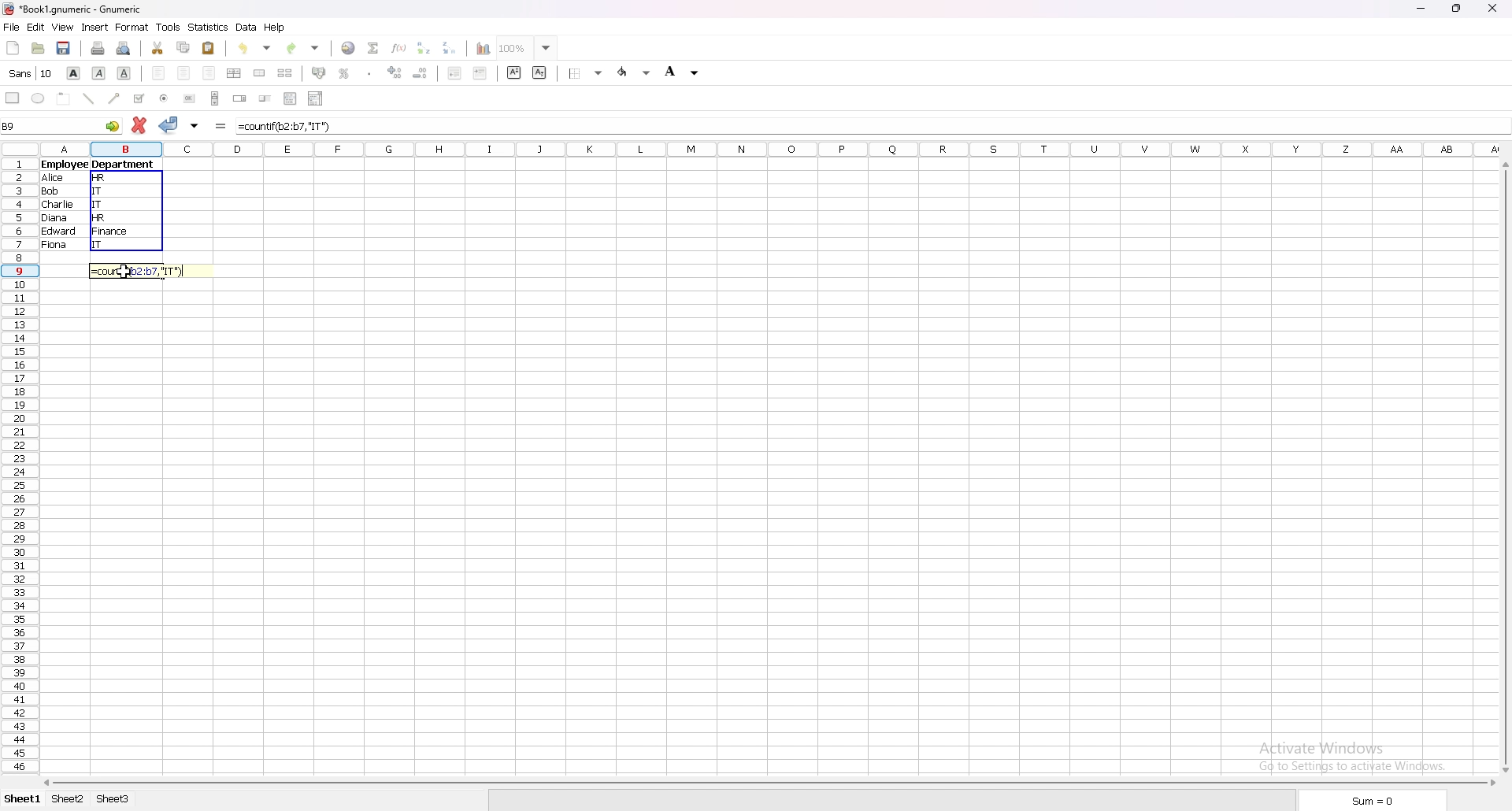 The width and height of the screenshot is (1512, 811). Describe the element at coordinates (87, 99) in the screenshot. I see `line` at that location.